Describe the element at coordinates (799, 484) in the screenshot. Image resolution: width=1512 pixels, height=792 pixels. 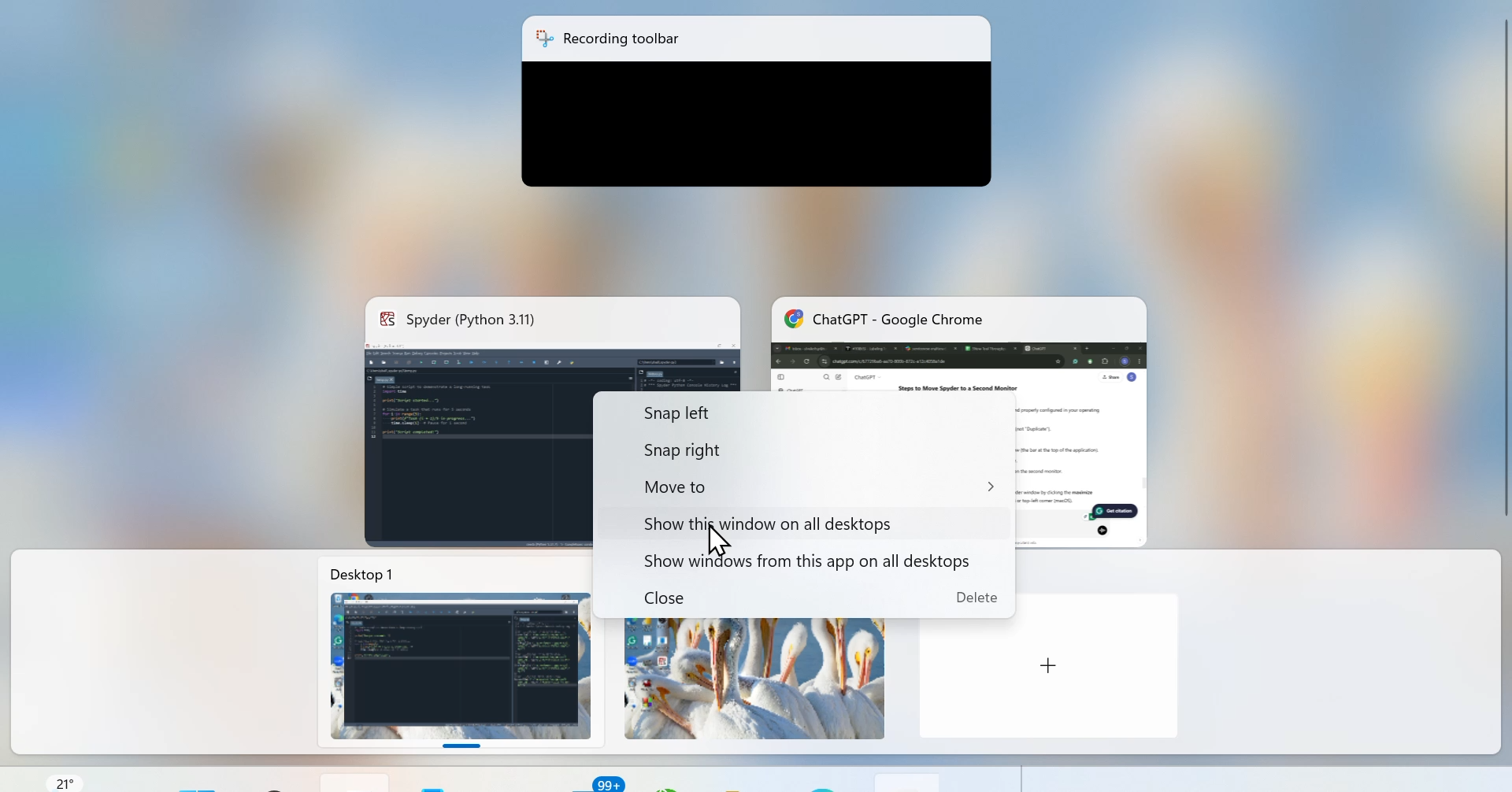
I see `Move to` at that location.